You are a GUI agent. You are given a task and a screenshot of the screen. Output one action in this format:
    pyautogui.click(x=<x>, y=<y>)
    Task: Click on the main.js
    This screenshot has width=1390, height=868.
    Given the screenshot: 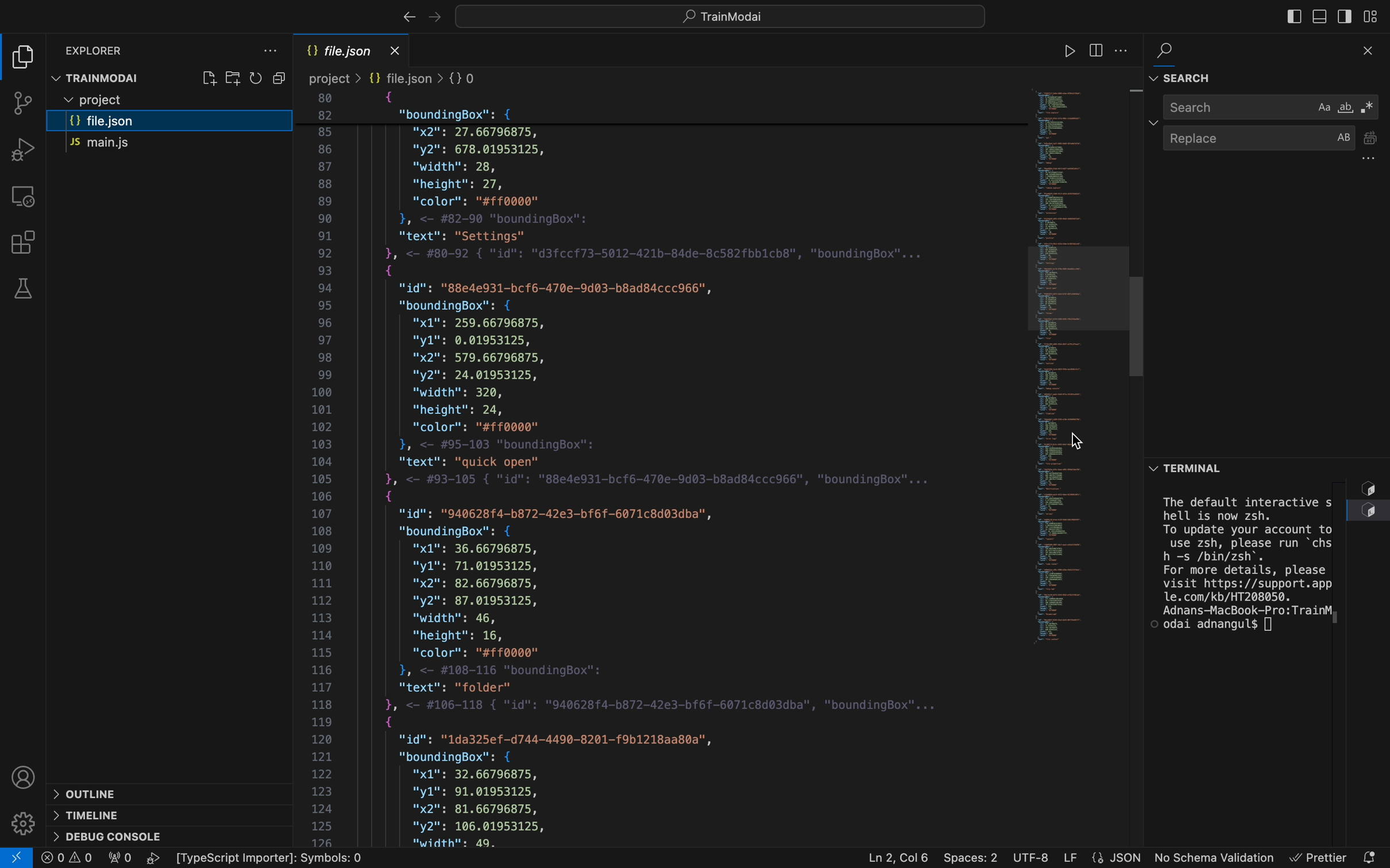 What is the action you would take?
    pyautogui.click(x=140, y=145)
    